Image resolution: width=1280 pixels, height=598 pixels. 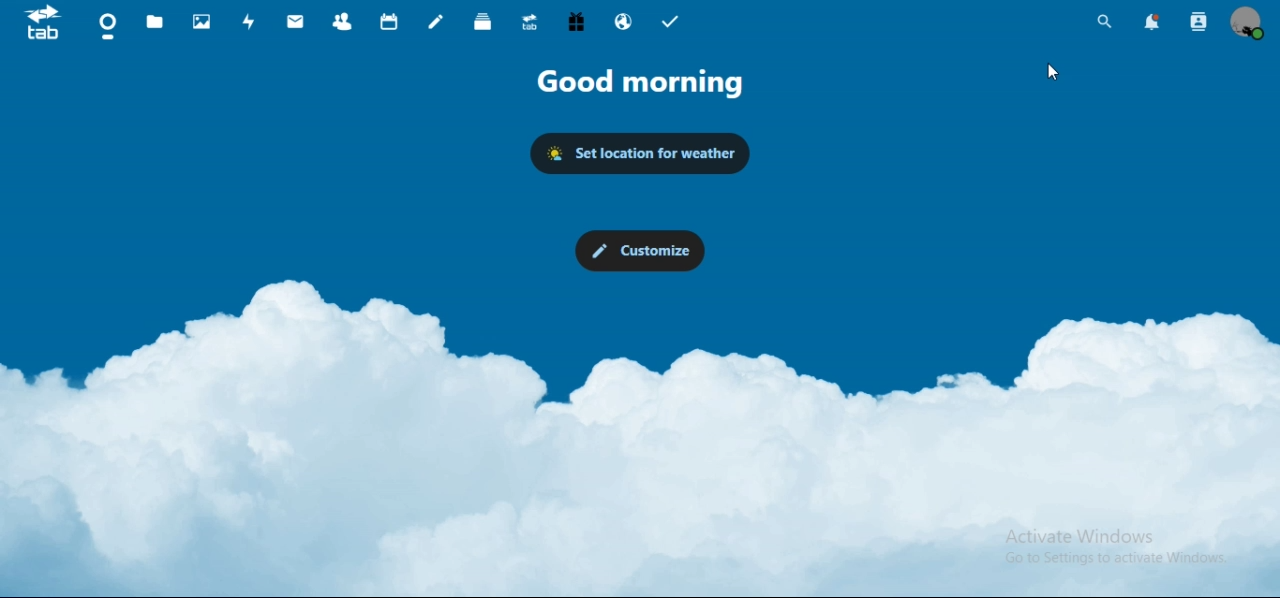 I want to click on dashboard, so click(x=110, y=27).